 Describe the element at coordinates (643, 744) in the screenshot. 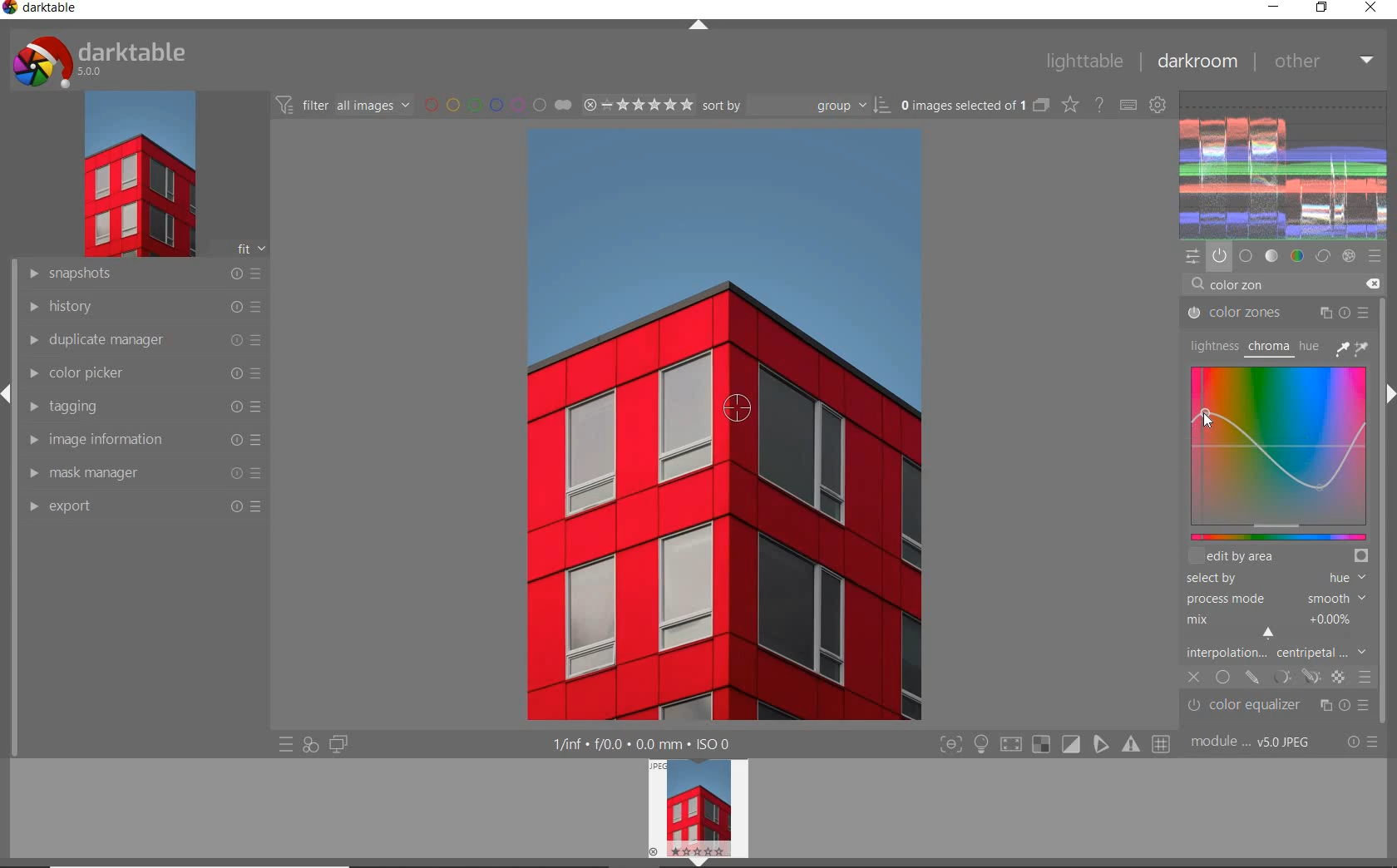

I see `display information` at that location.